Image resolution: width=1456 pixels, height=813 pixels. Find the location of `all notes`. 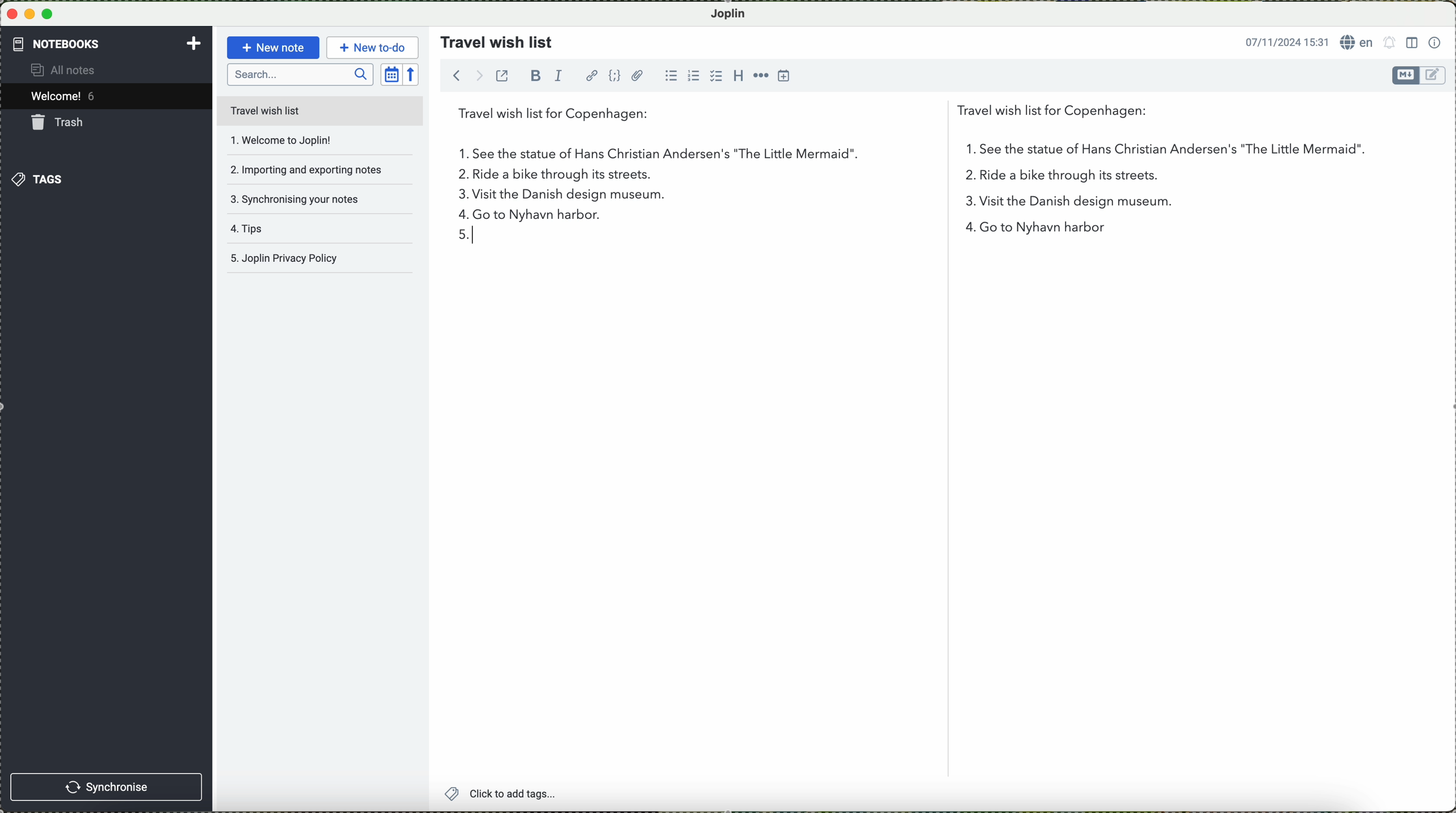

all notes is located at coordinates (73, 71).